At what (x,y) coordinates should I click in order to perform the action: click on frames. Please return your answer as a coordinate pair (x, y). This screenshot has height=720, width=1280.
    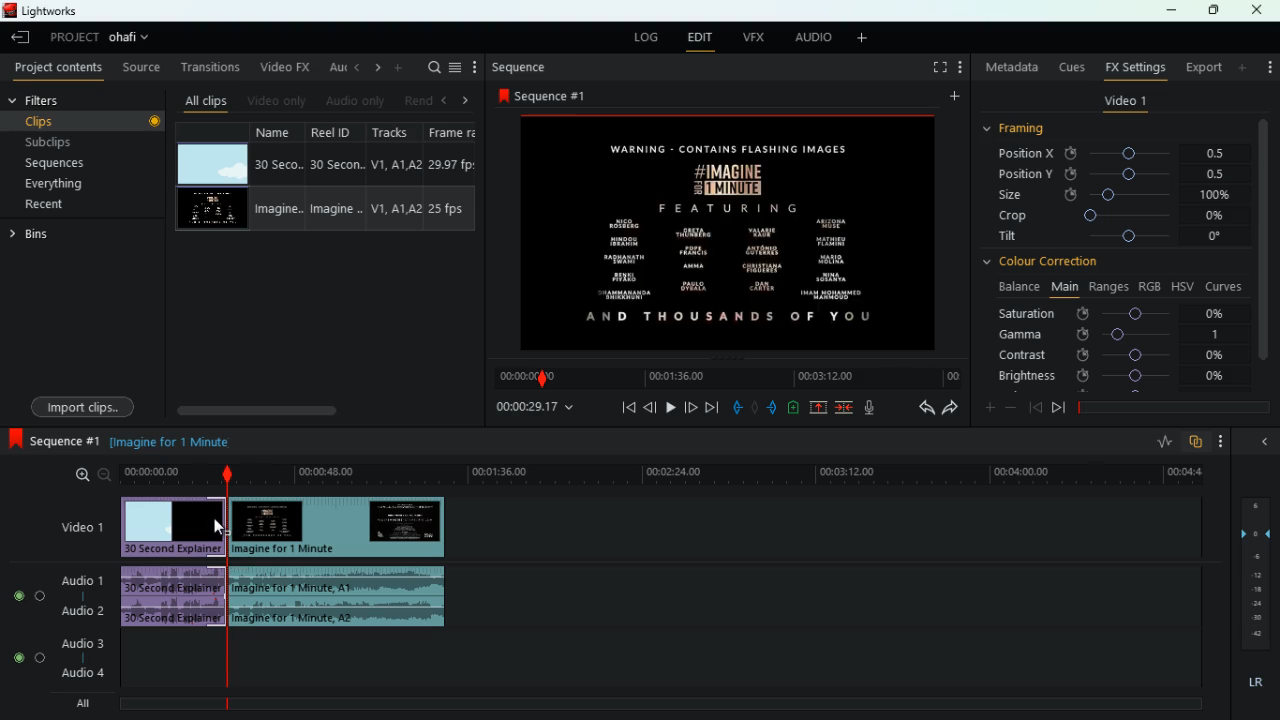
    Looking at the image, I should click on (1253, 574).